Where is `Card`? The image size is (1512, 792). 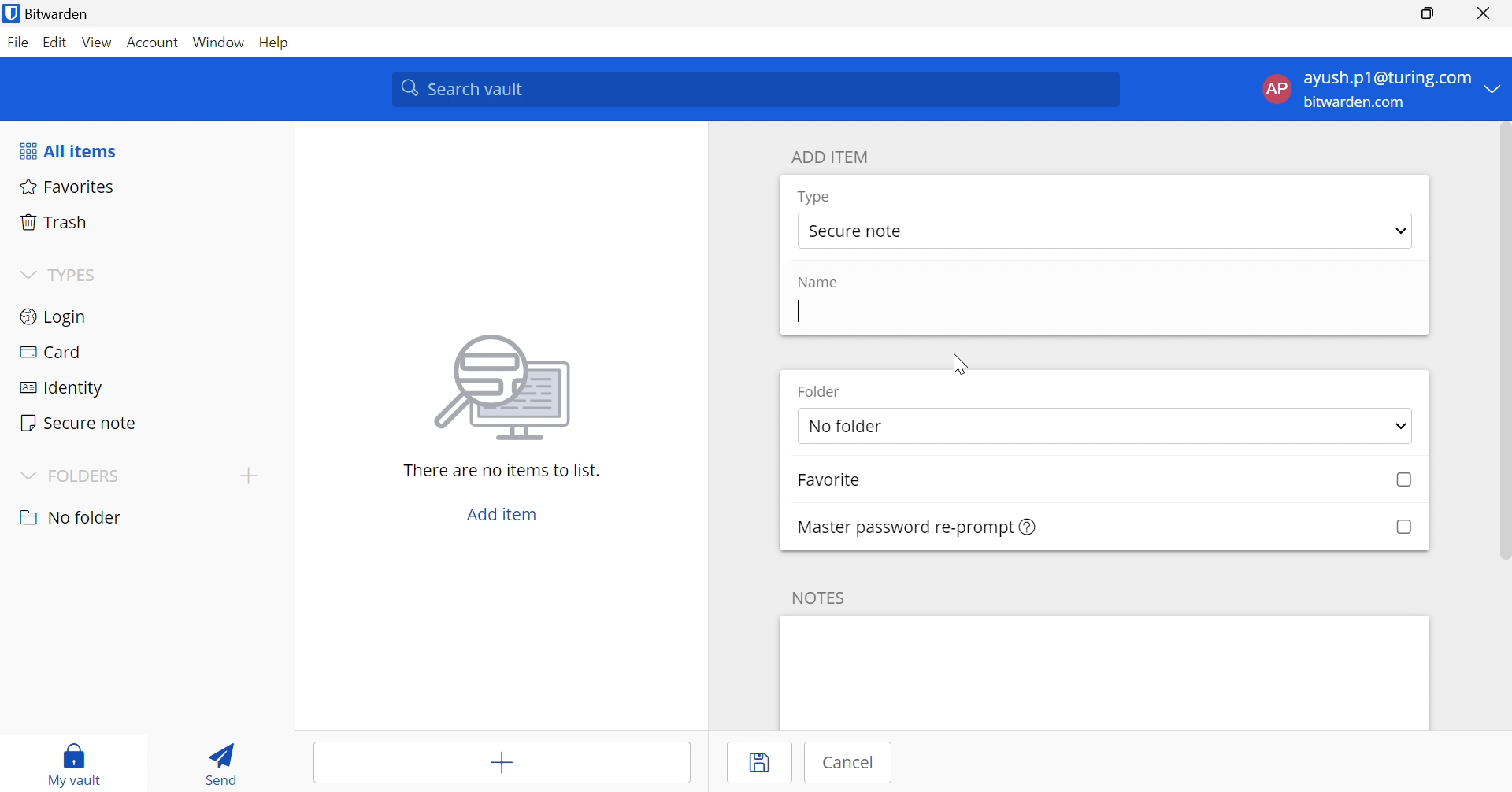
Card is located at coordinates (141, 349).